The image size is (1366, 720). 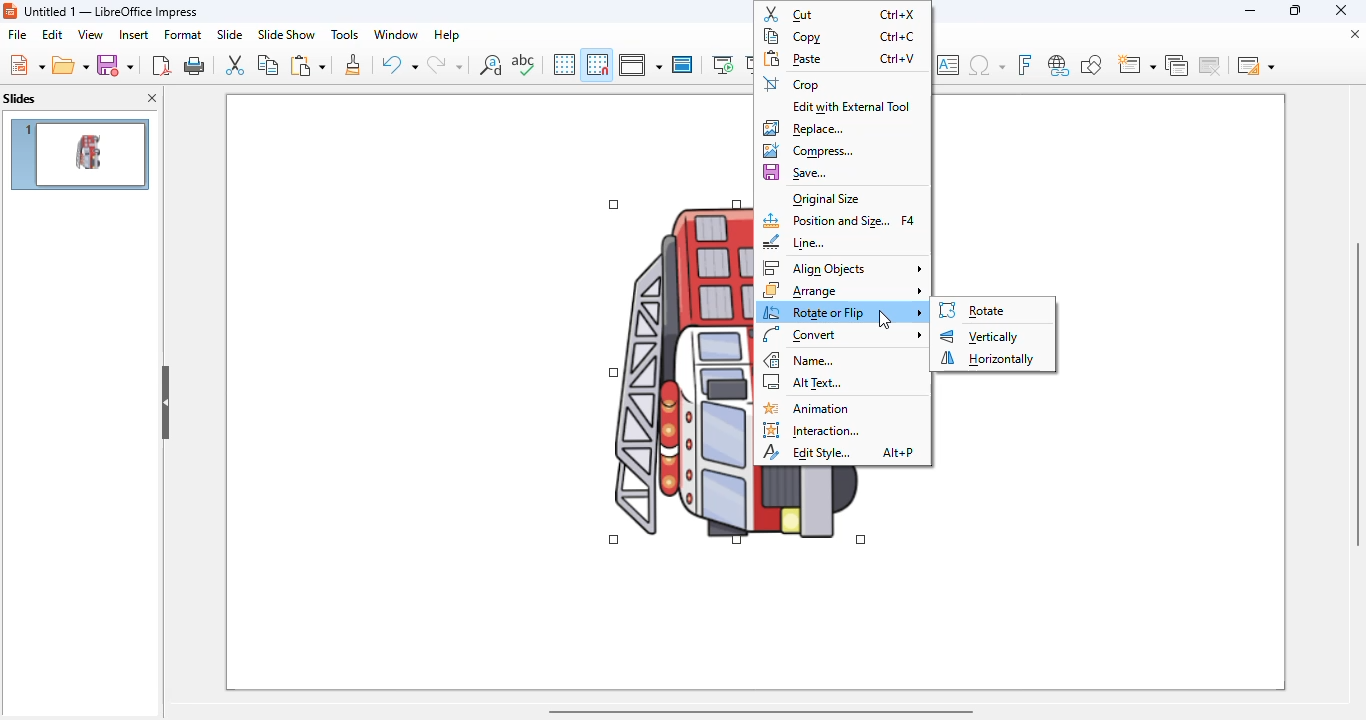 What do you see at coordinates (235, 65) in the screenshot?
I see `cut` at bounding box center [235, 65].